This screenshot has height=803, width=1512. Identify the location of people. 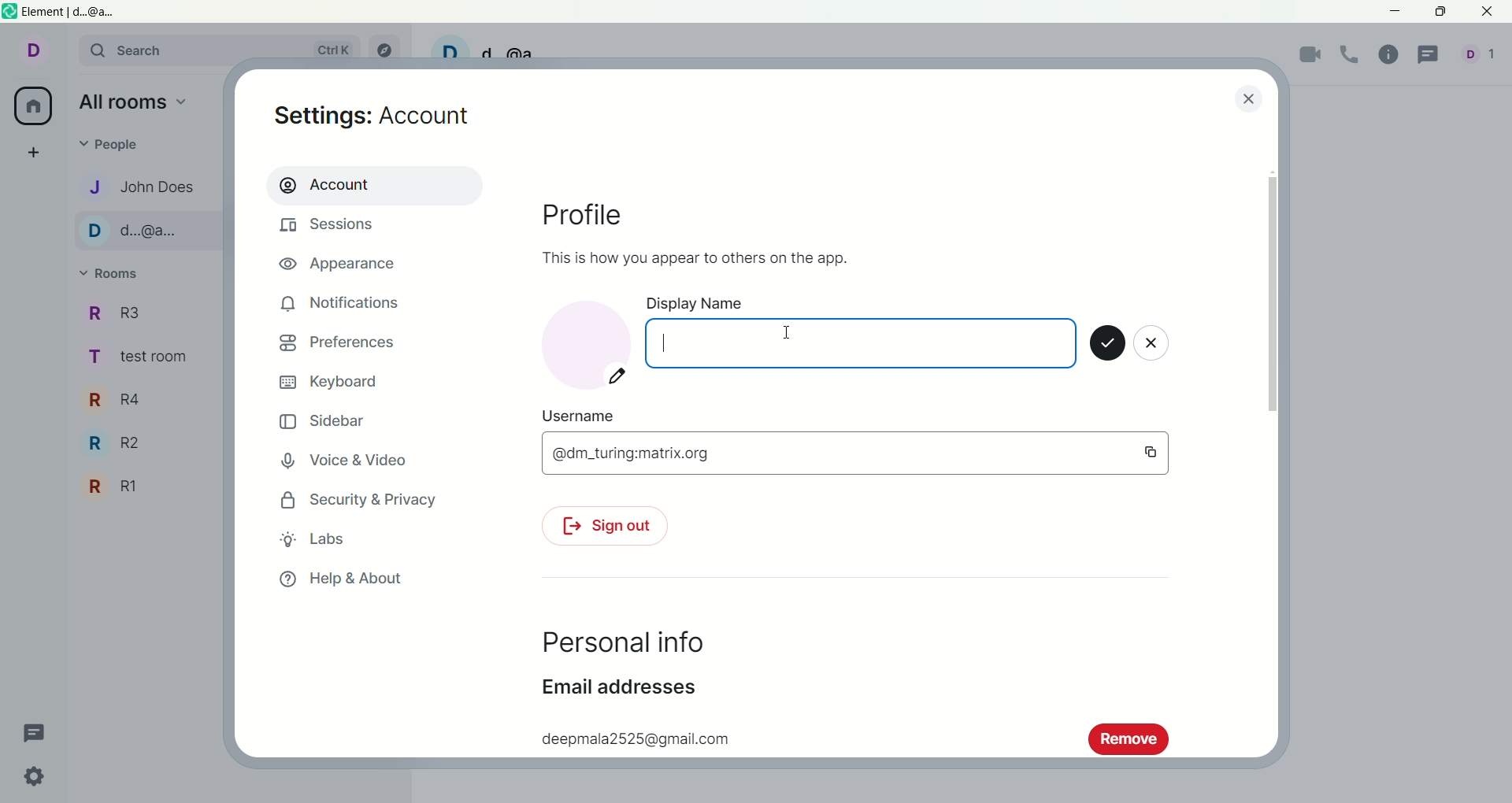
(1482, 58).